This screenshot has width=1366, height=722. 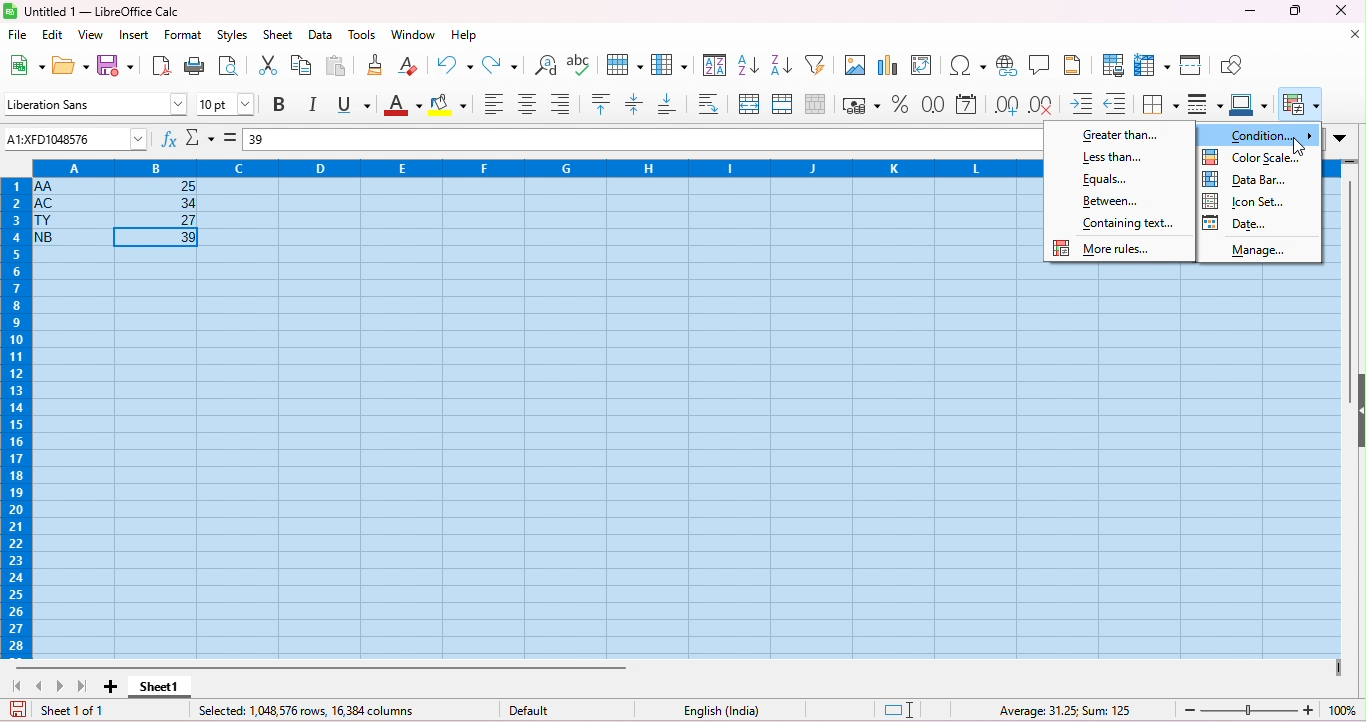 What do you see at coordinates (54, 36) in the screenshot?
I see `edit` at bounding box center [54, 36].